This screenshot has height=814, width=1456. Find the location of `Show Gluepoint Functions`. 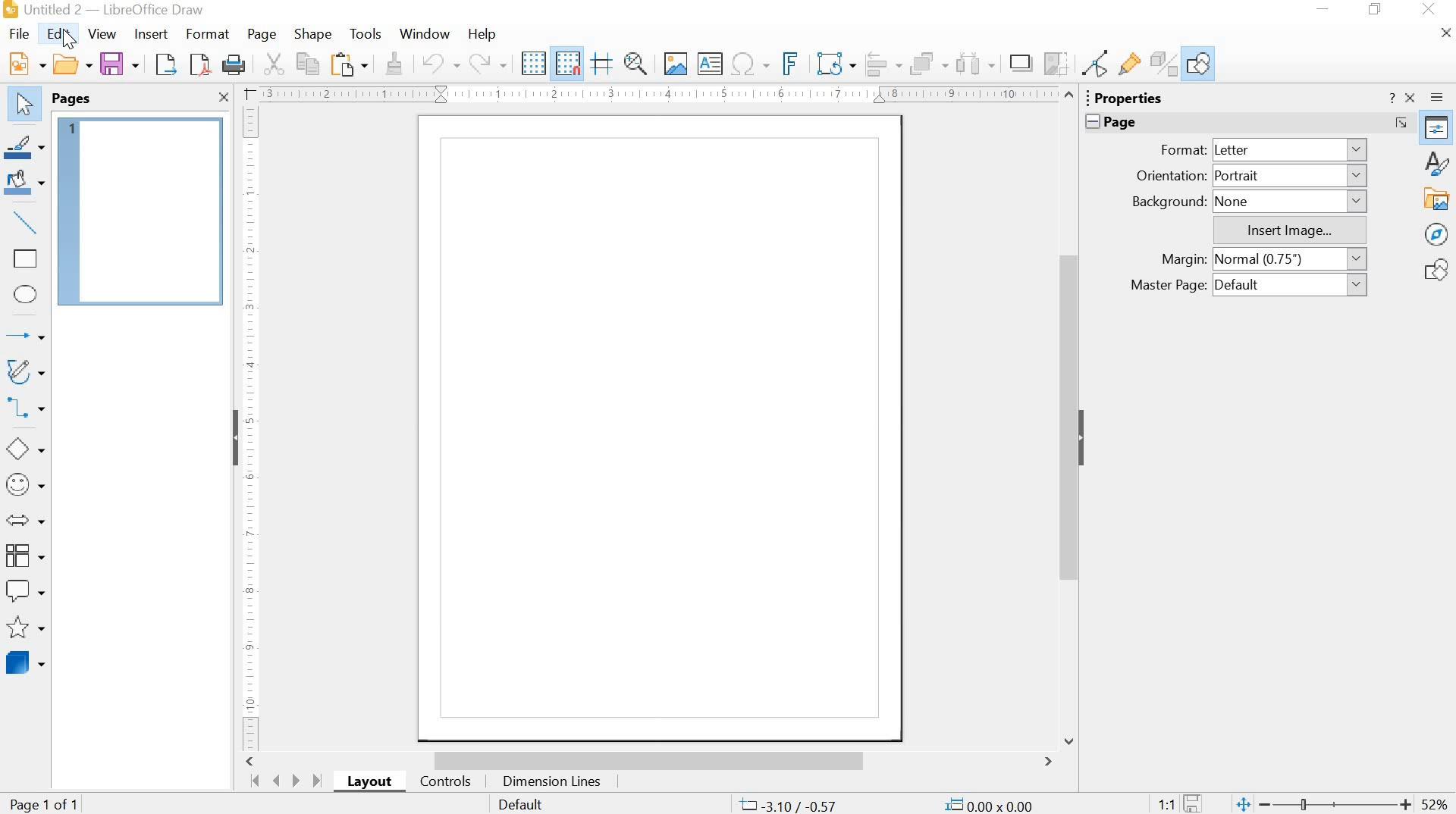

Show Gluepoint Functions is located at coordinates (1131, 64).